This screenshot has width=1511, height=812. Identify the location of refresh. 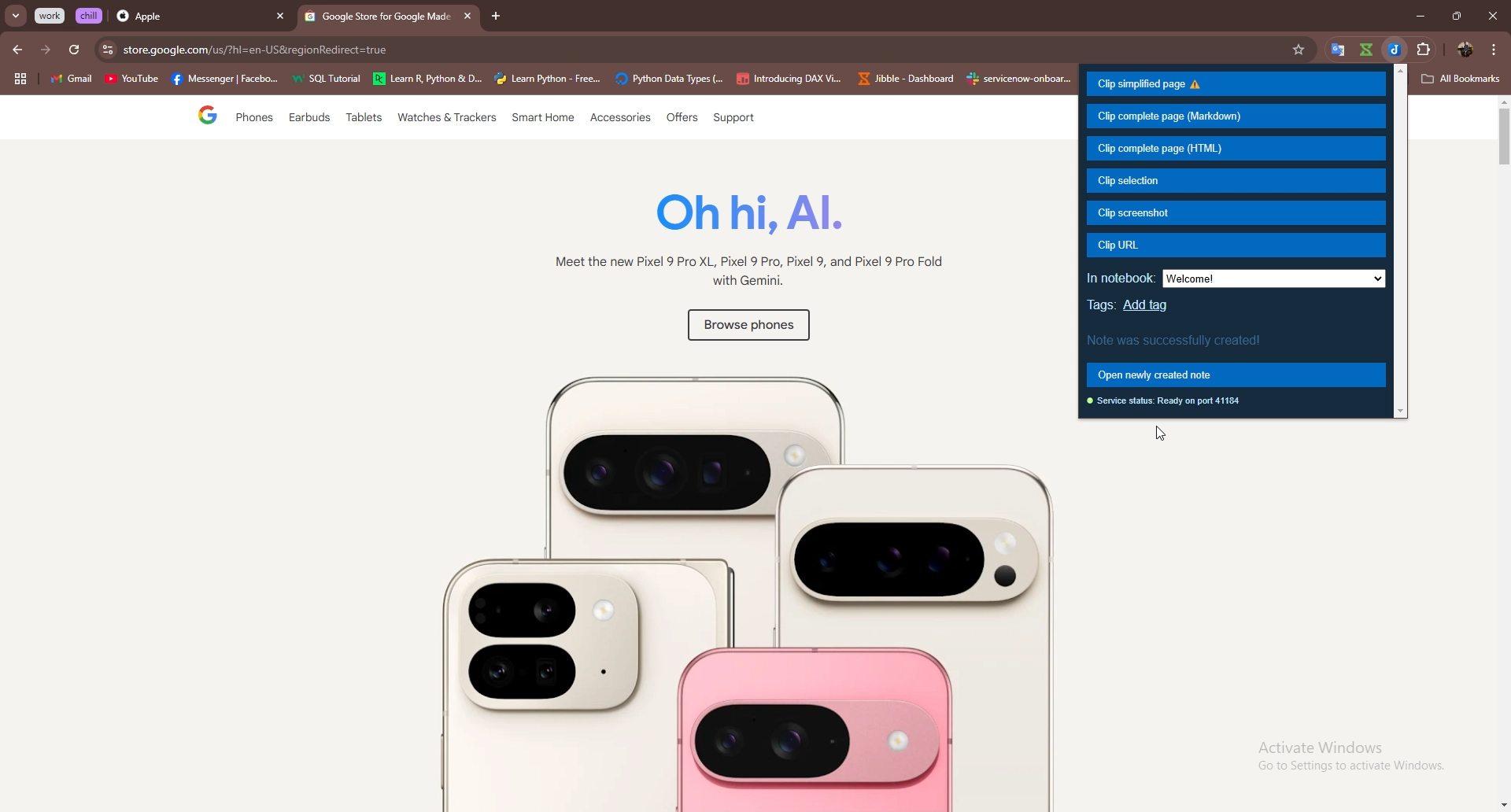
(74, 50).